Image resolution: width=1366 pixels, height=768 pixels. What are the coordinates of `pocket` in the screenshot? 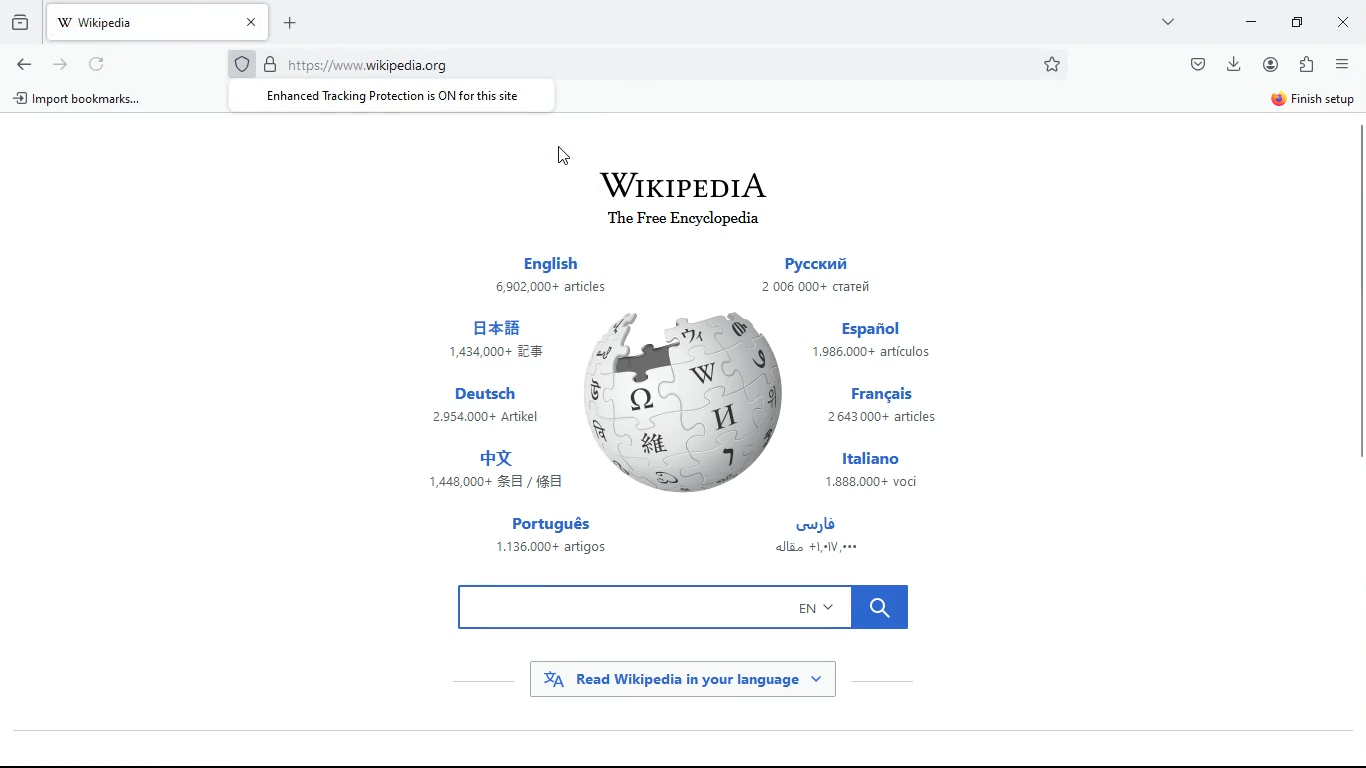 It's located at (1196, 64).